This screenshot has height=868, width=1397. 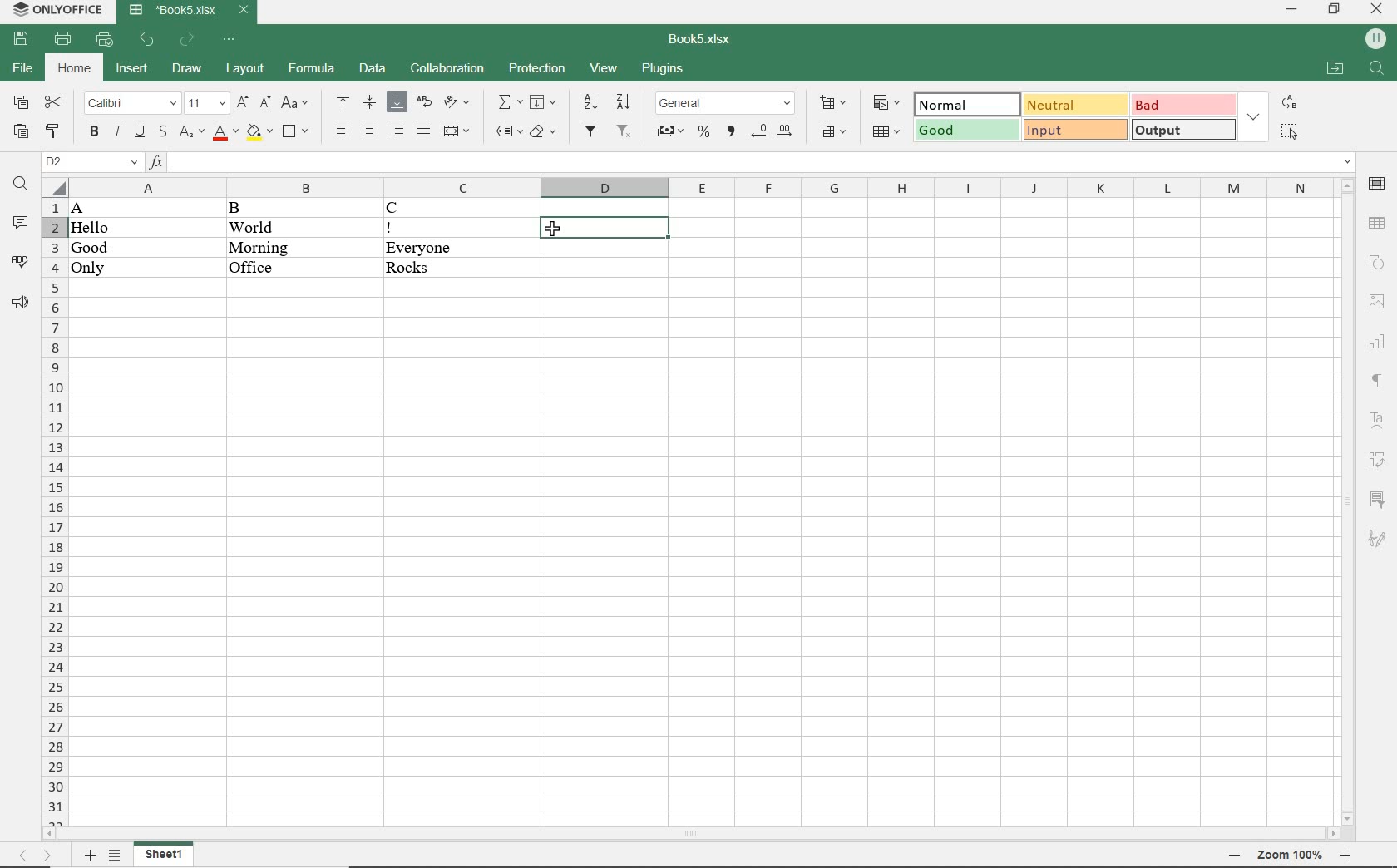 What do you see at coordinates (116, 856) in the screenshot?
I see `list sheets` at bounding box center [116, 856].